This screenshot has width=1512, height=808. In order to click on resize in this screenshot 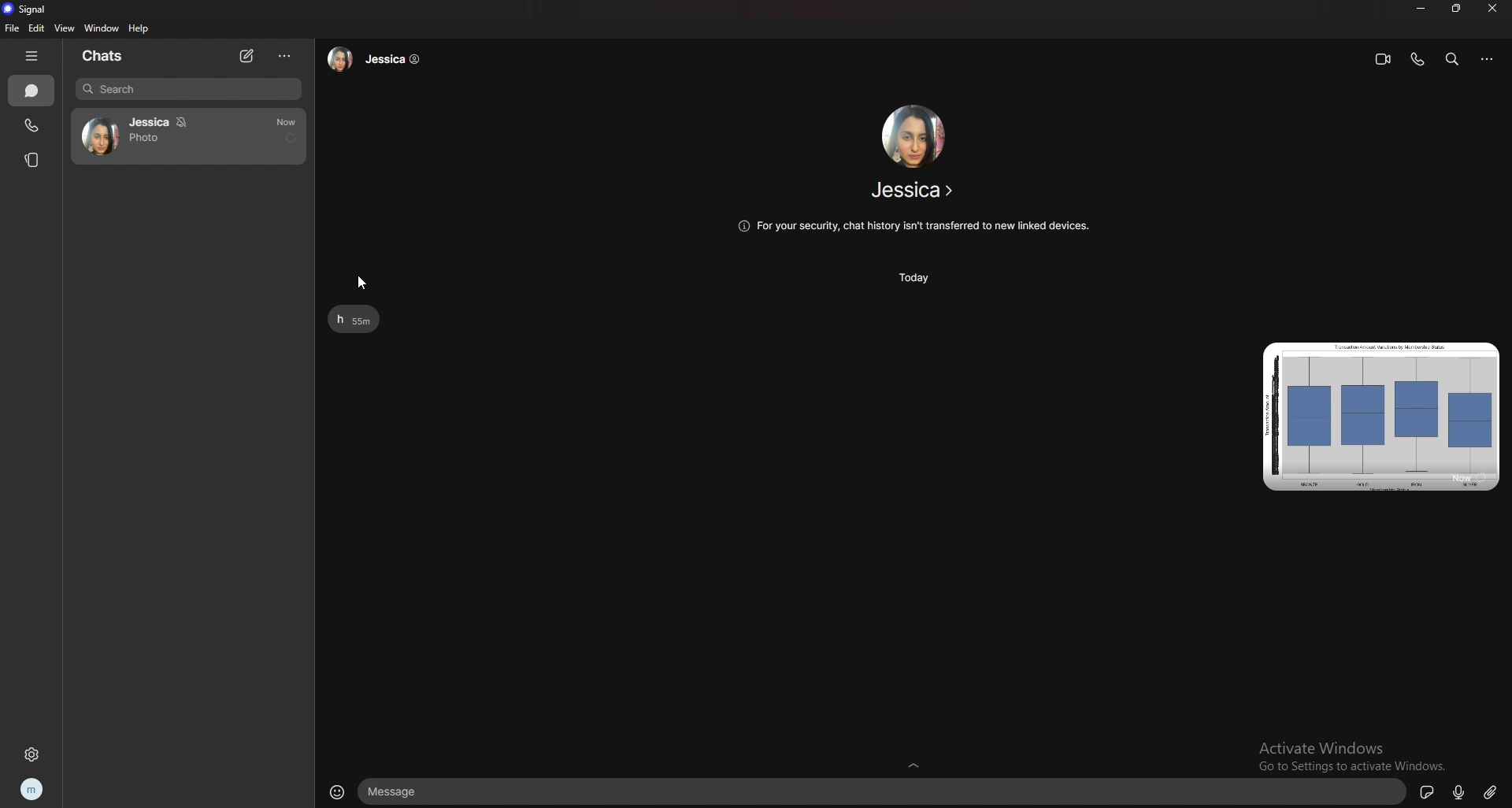, I will do `click(1457, 11)`.